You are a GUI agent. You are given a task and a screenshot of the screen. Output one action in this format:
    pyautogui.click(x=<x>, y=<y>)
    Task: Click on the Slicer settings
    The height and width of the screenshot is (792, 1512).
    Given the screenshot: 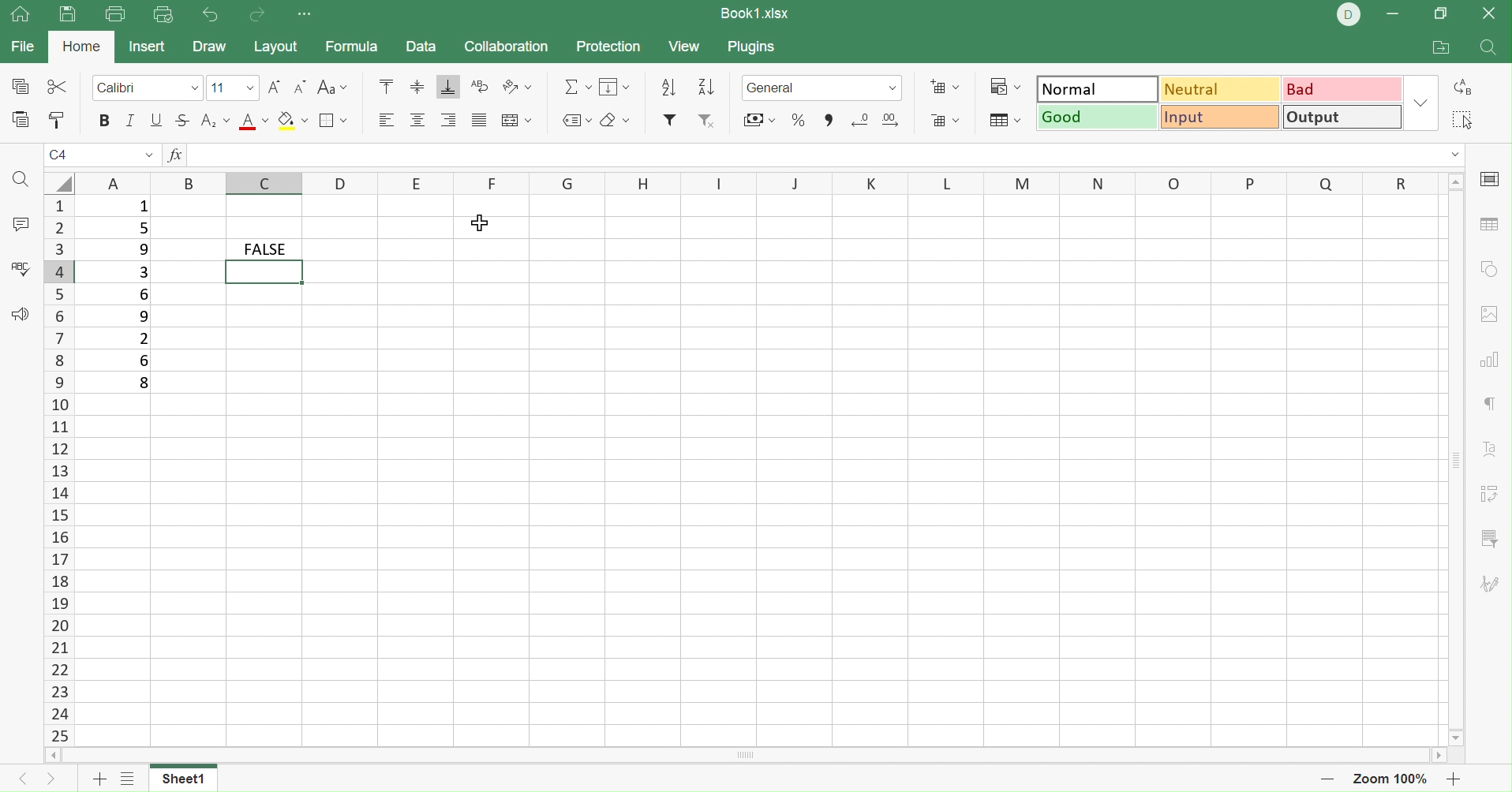 What is the action you would take?
    pyautogui.click(x=1494, y=537)
    